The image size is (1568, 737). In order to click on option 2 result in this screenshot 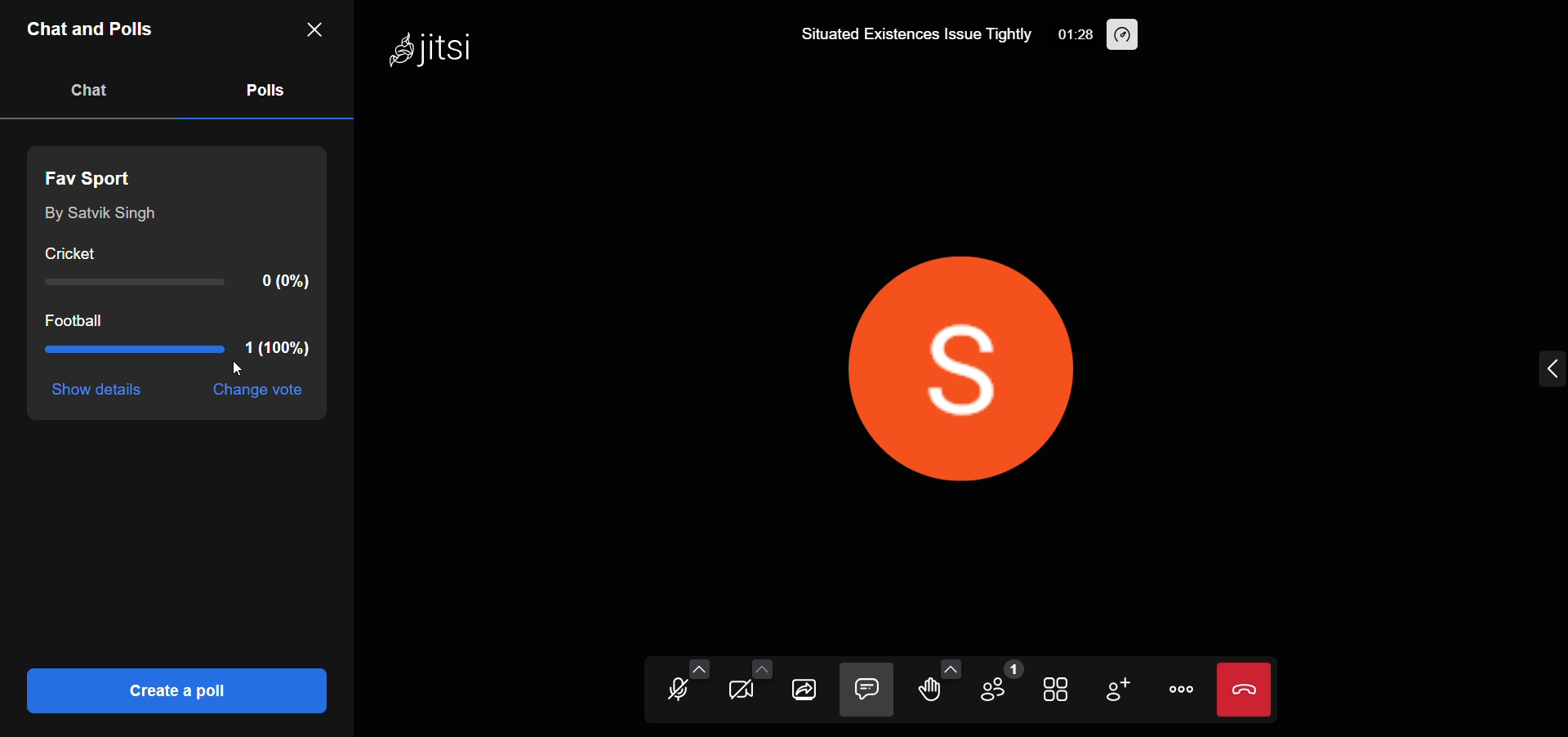, I will do `click(187, 351)`.